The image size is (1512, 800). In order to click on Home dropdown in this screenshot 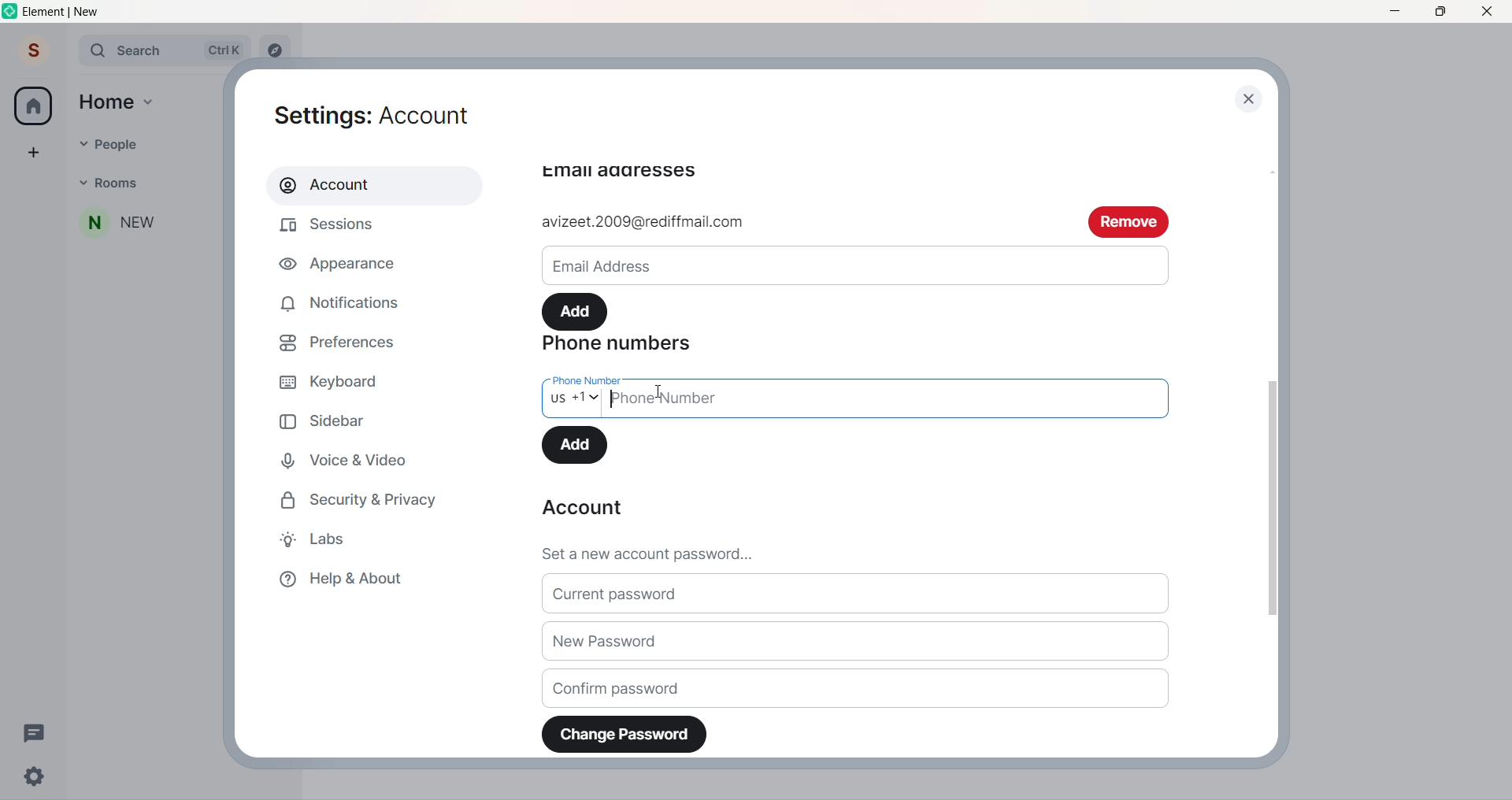, I will do `click(150, 100)`.